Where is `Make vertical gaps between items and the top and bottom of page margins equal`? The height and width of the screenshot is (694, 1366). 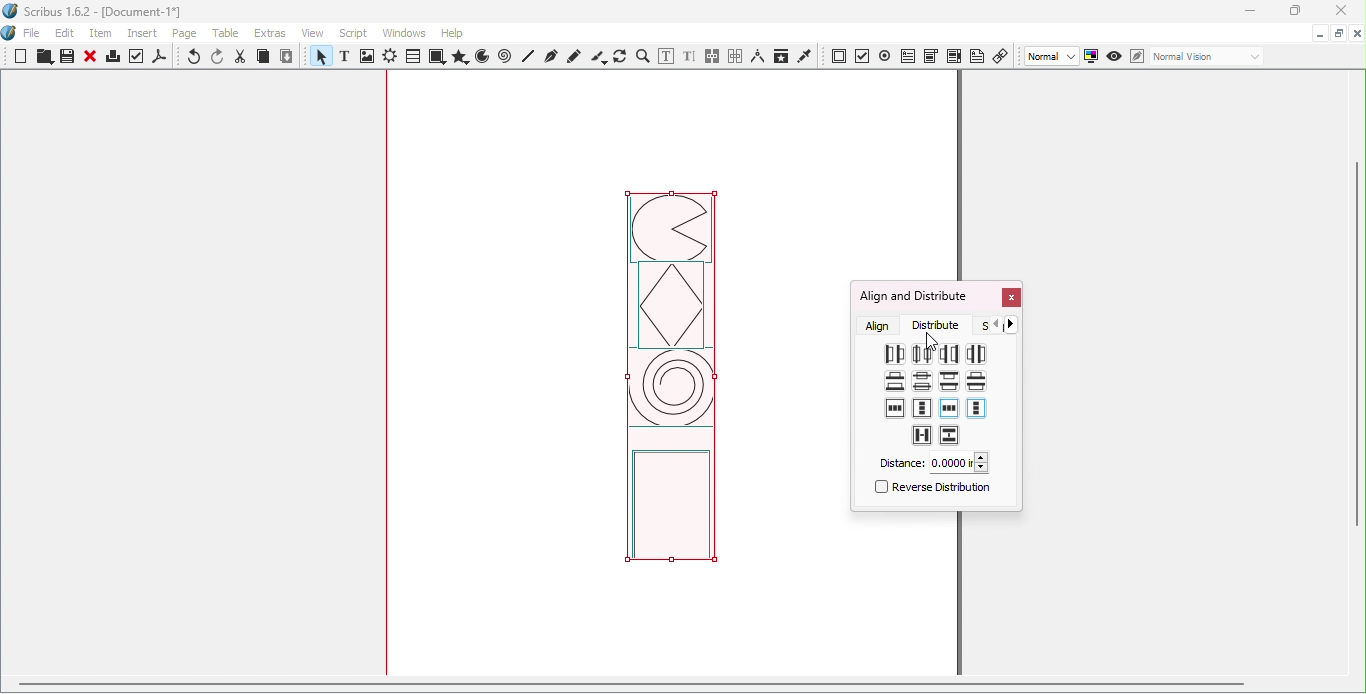 Make vertical gaps between items and the top and bottom of page margins equal is located at coordinates (976, 409).